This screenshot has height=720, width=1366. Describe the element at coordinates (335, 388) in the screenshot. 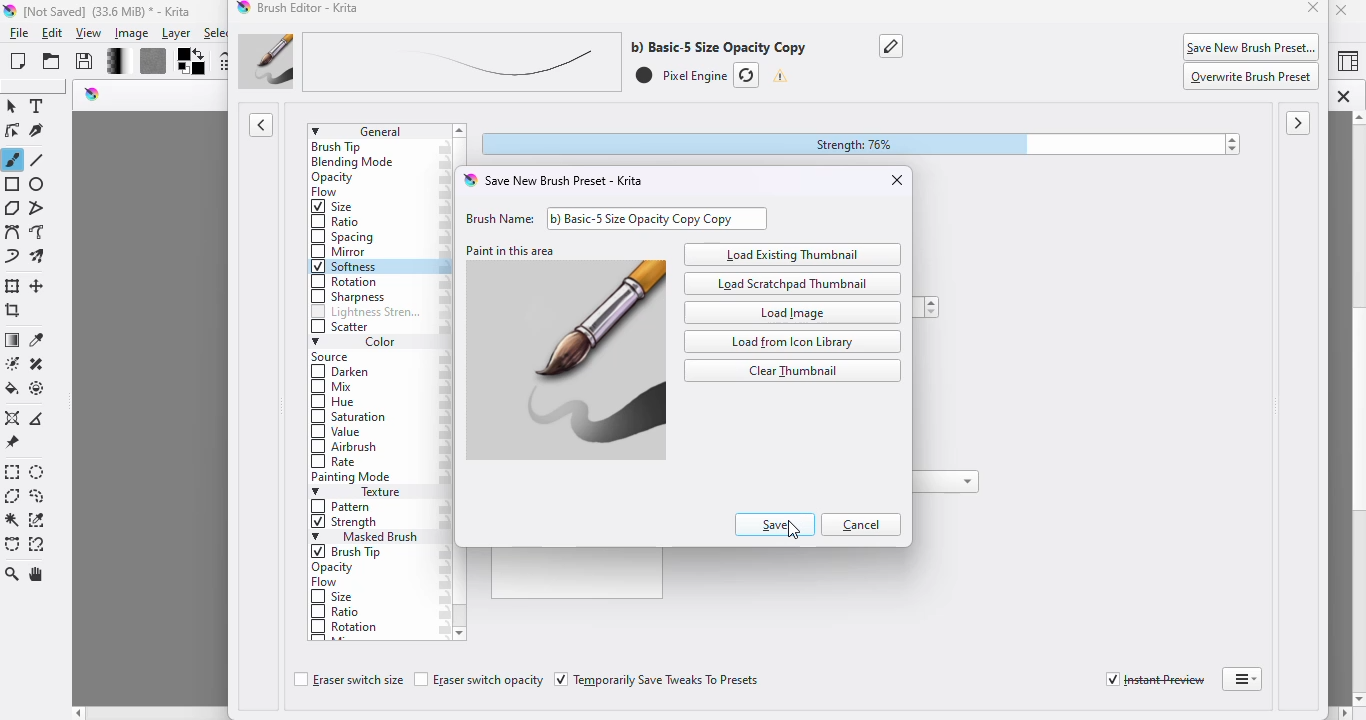

I see `mix` at that location.